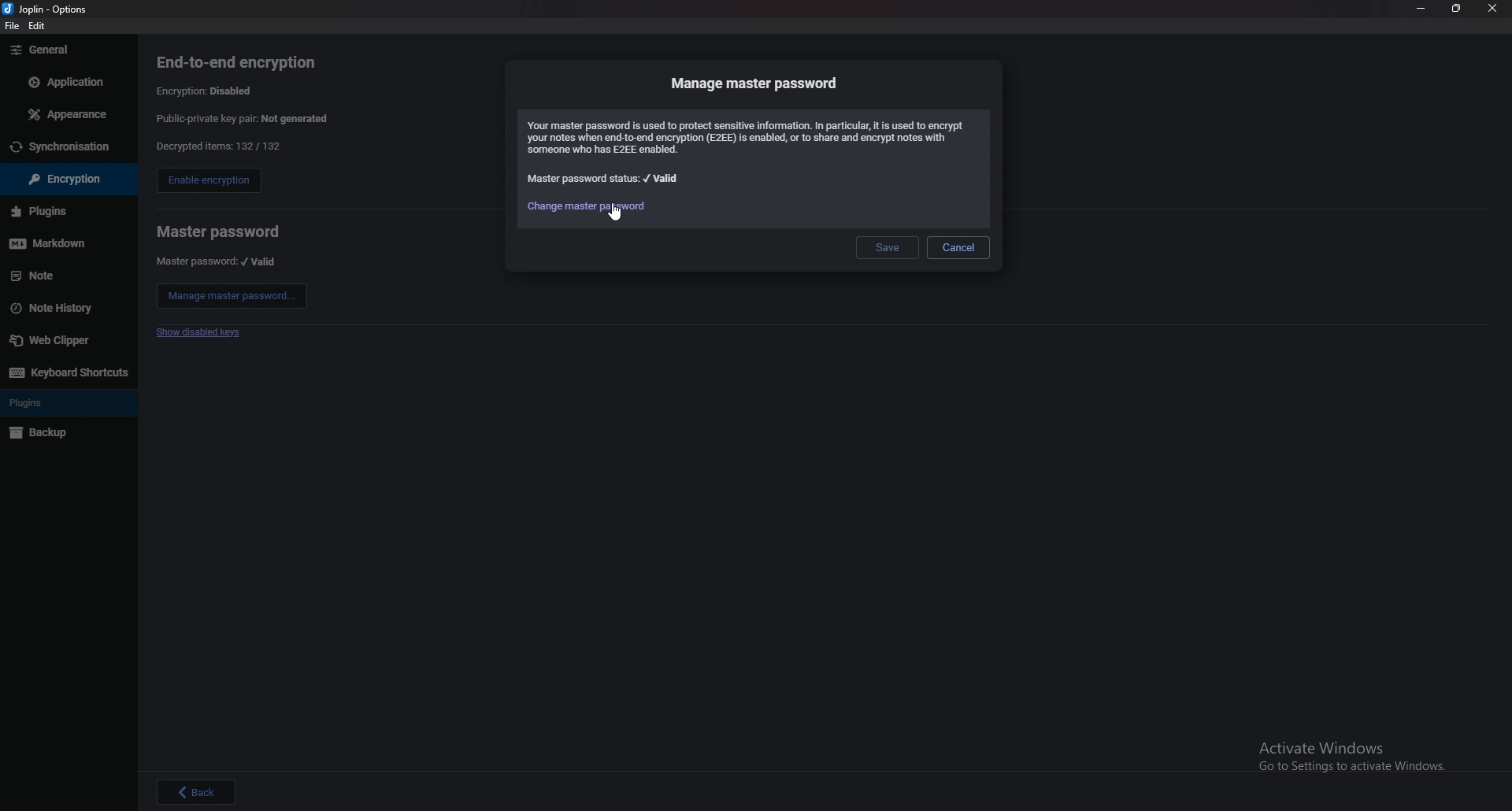  I want to click on encryption, so click(60, 180).